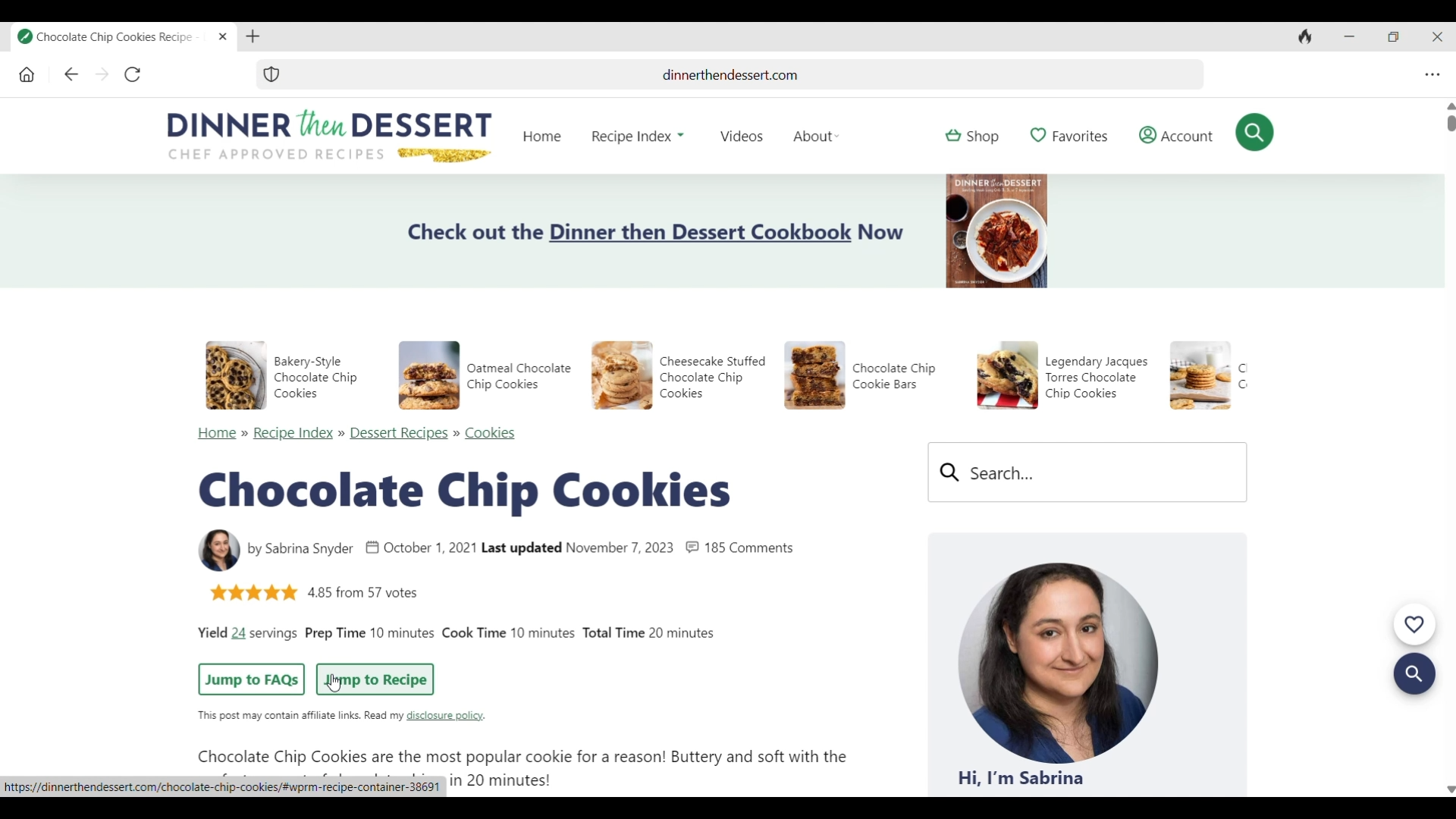  I want to click on Add to favorites, so click(1414, 626).